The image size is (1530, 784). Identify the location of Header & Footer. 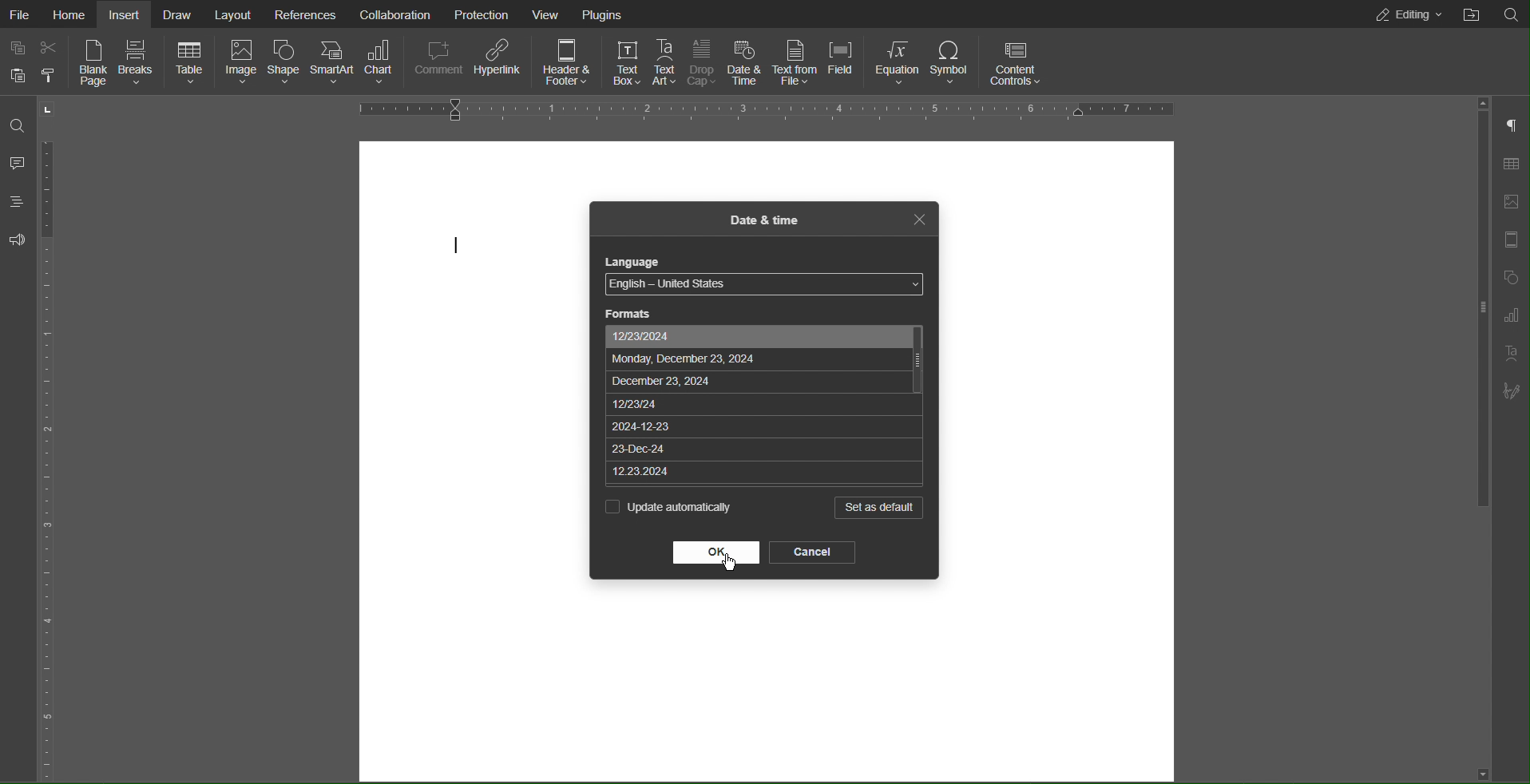
(567, 61).